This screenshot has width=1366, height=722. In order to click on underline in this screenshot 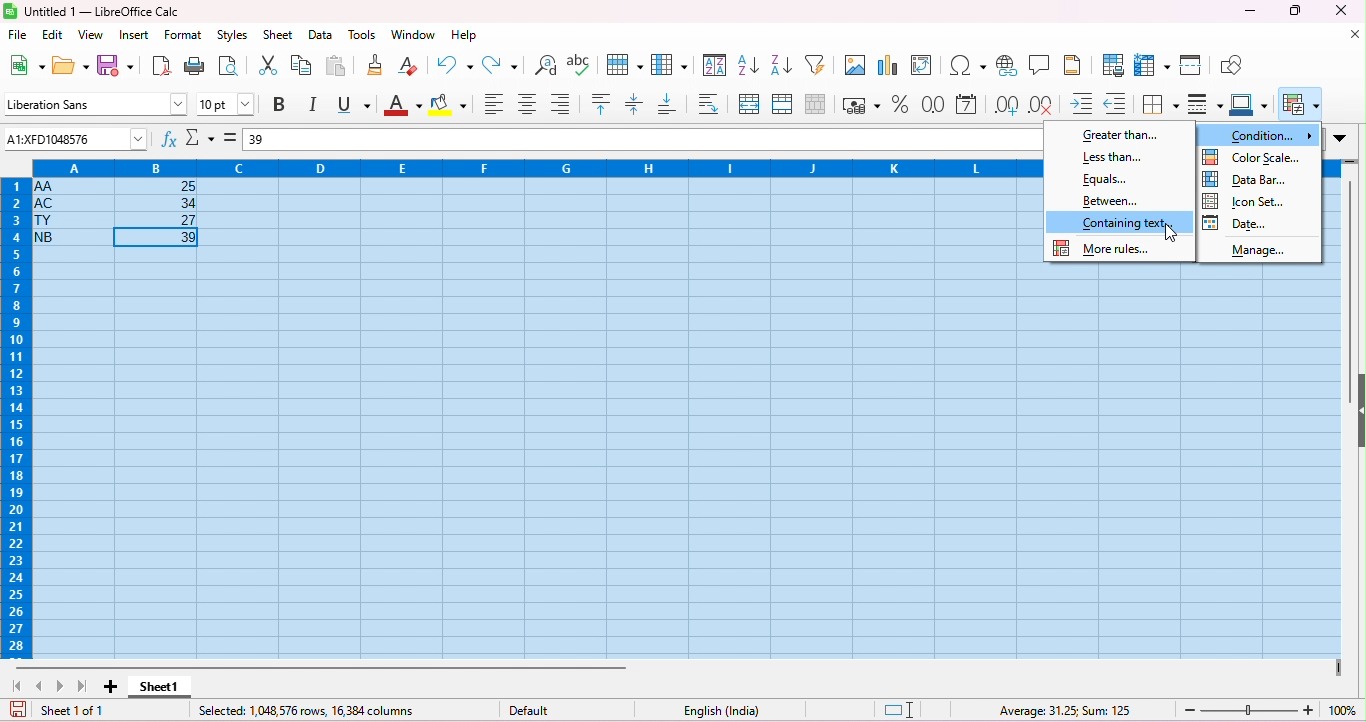, I will do `click(352, 105)`.